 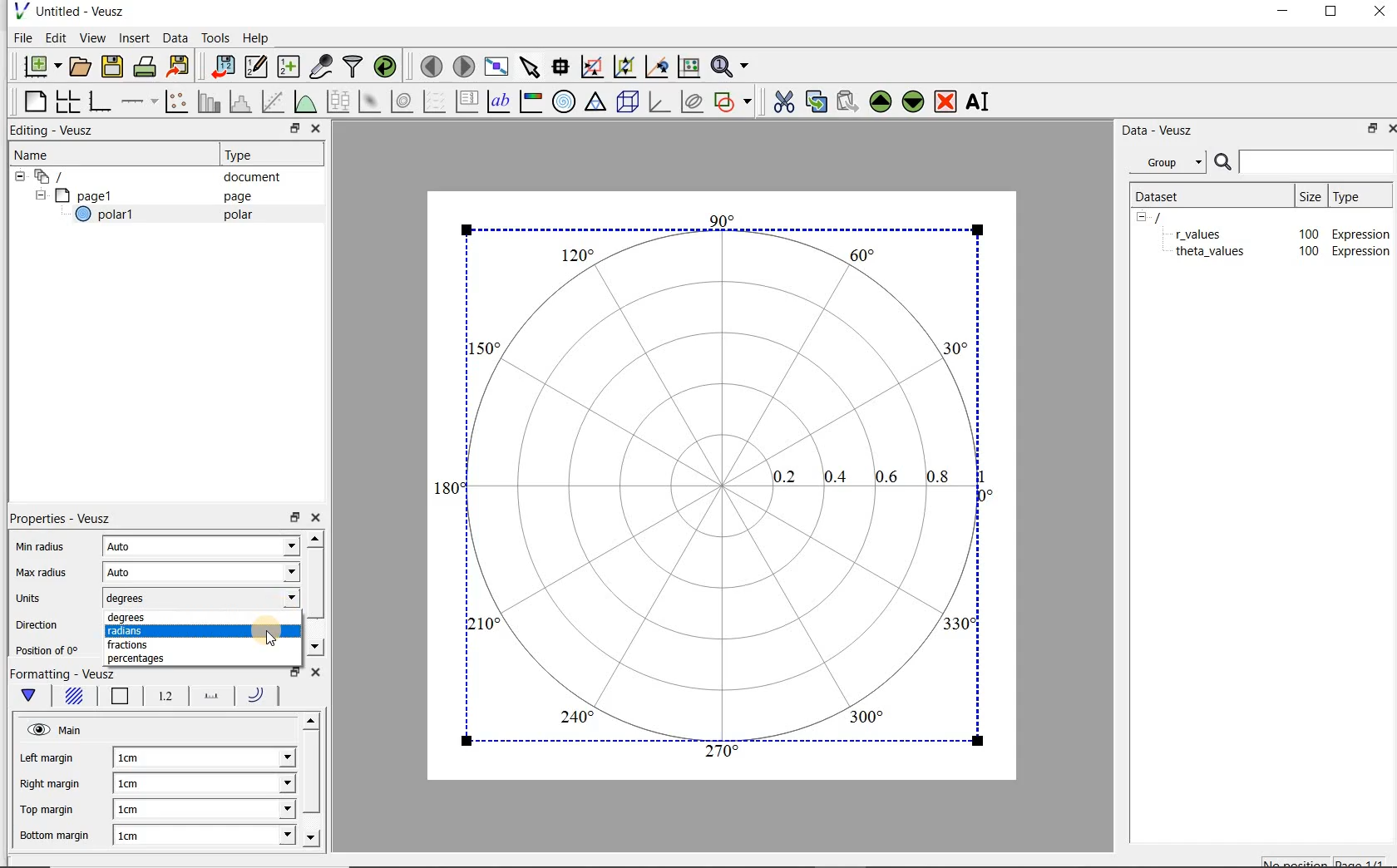 What do you see at coordinates (141, 549) in the screenshot?
I see `Auto` at bounding box center [141, 549].